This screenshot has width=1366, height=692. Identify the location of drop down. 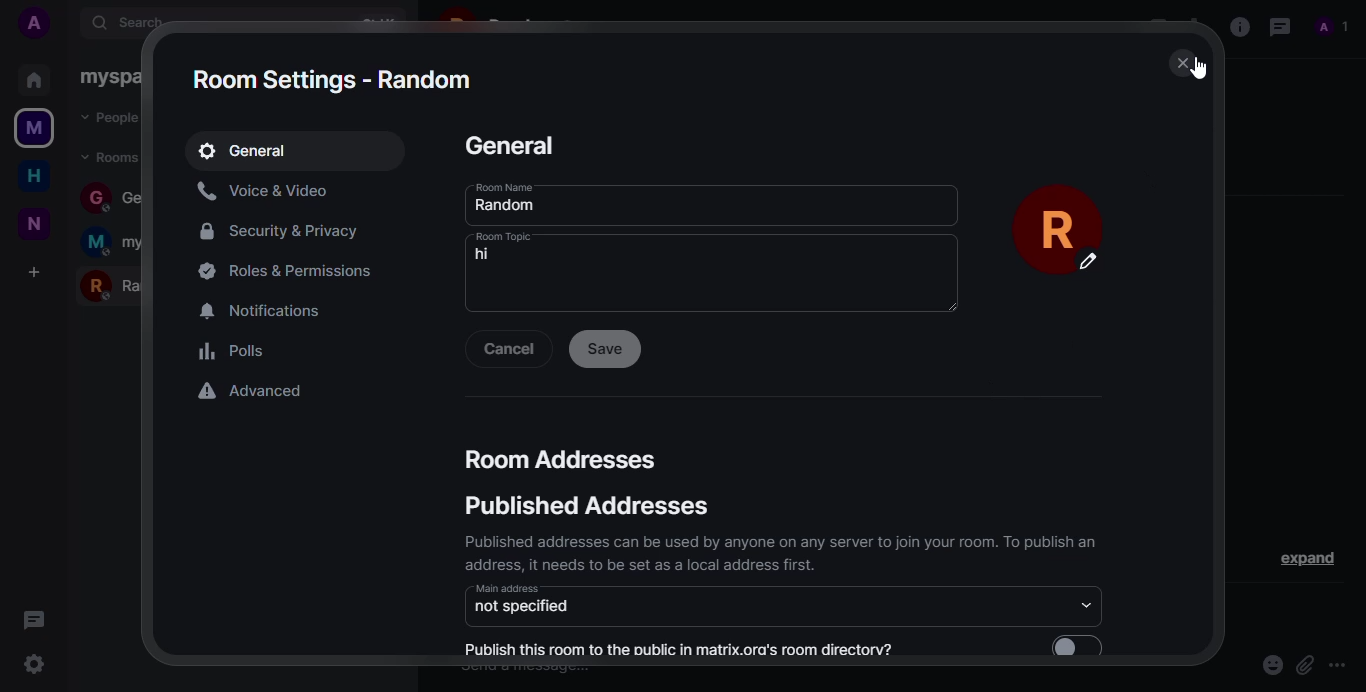
(1081, 606).